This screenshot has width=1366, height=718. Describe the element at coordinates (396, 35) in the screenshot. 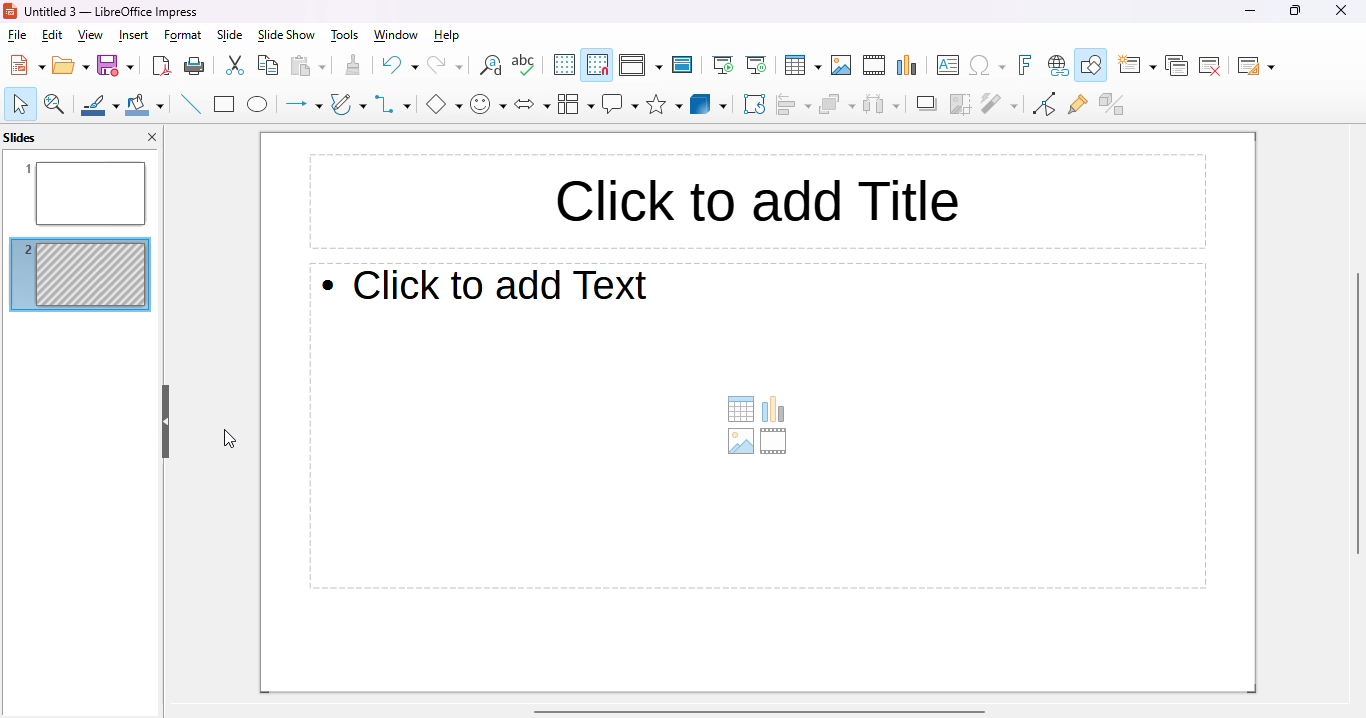

I see `window` at that location.